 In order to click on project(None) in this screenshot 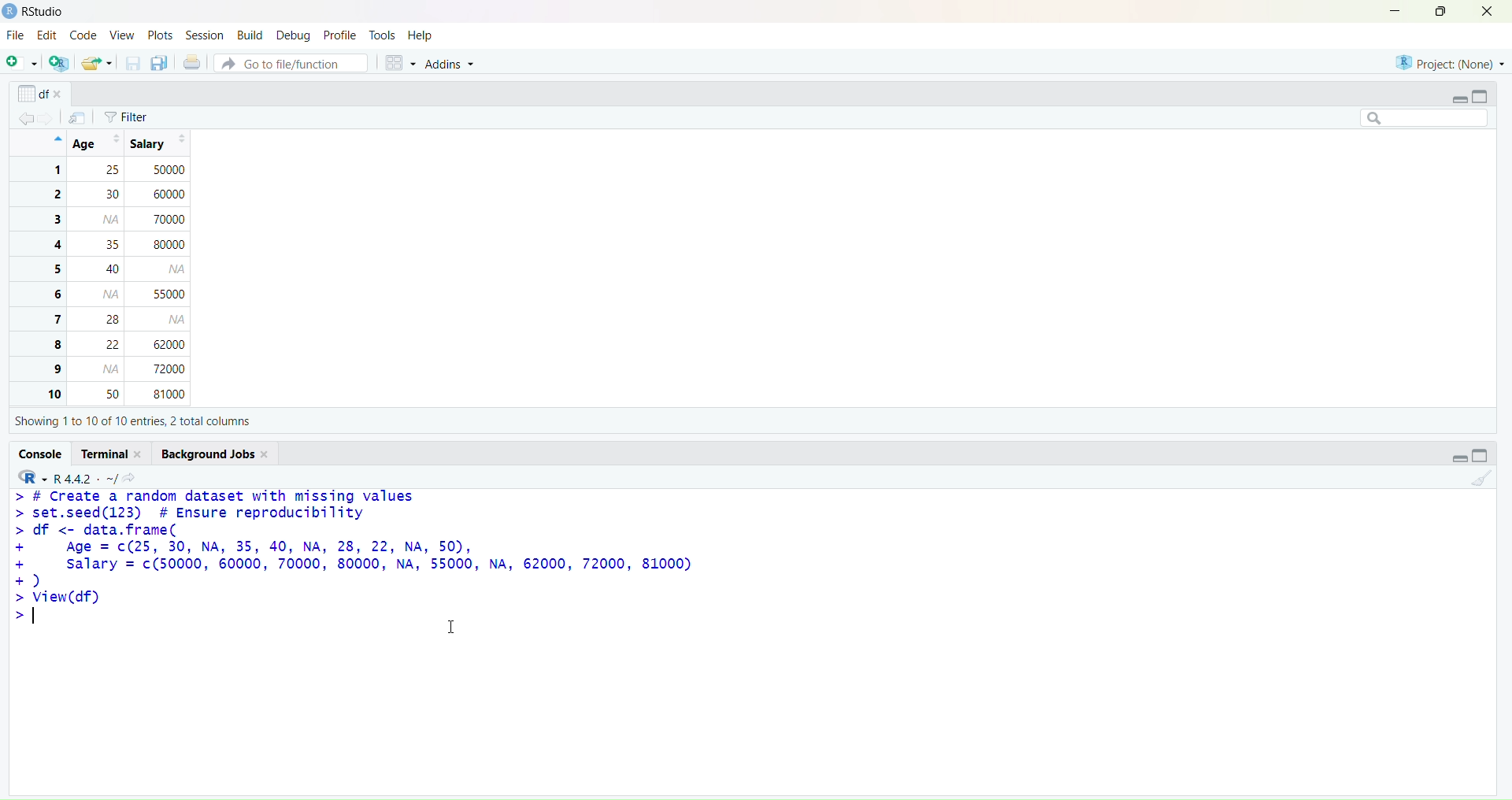, I will do `click(1449, 61)`.